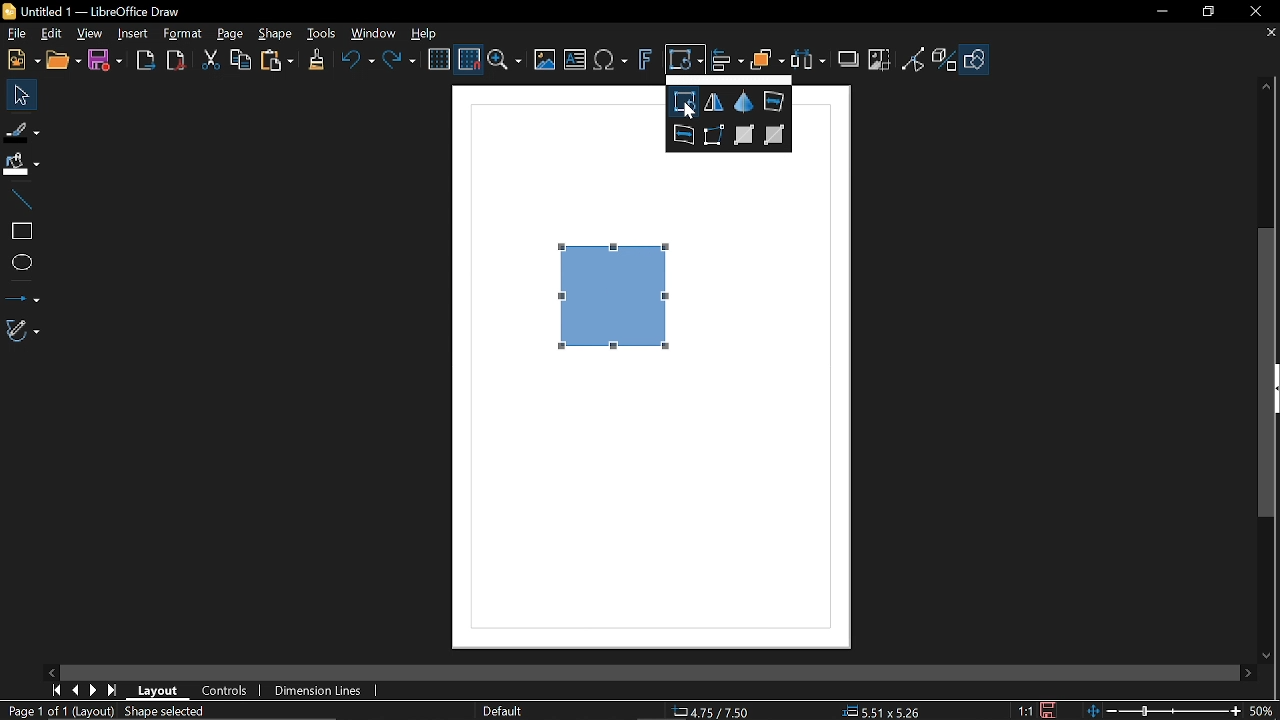 The image size is (1280, 720). I want to click on Previous page, so click(75, 689).